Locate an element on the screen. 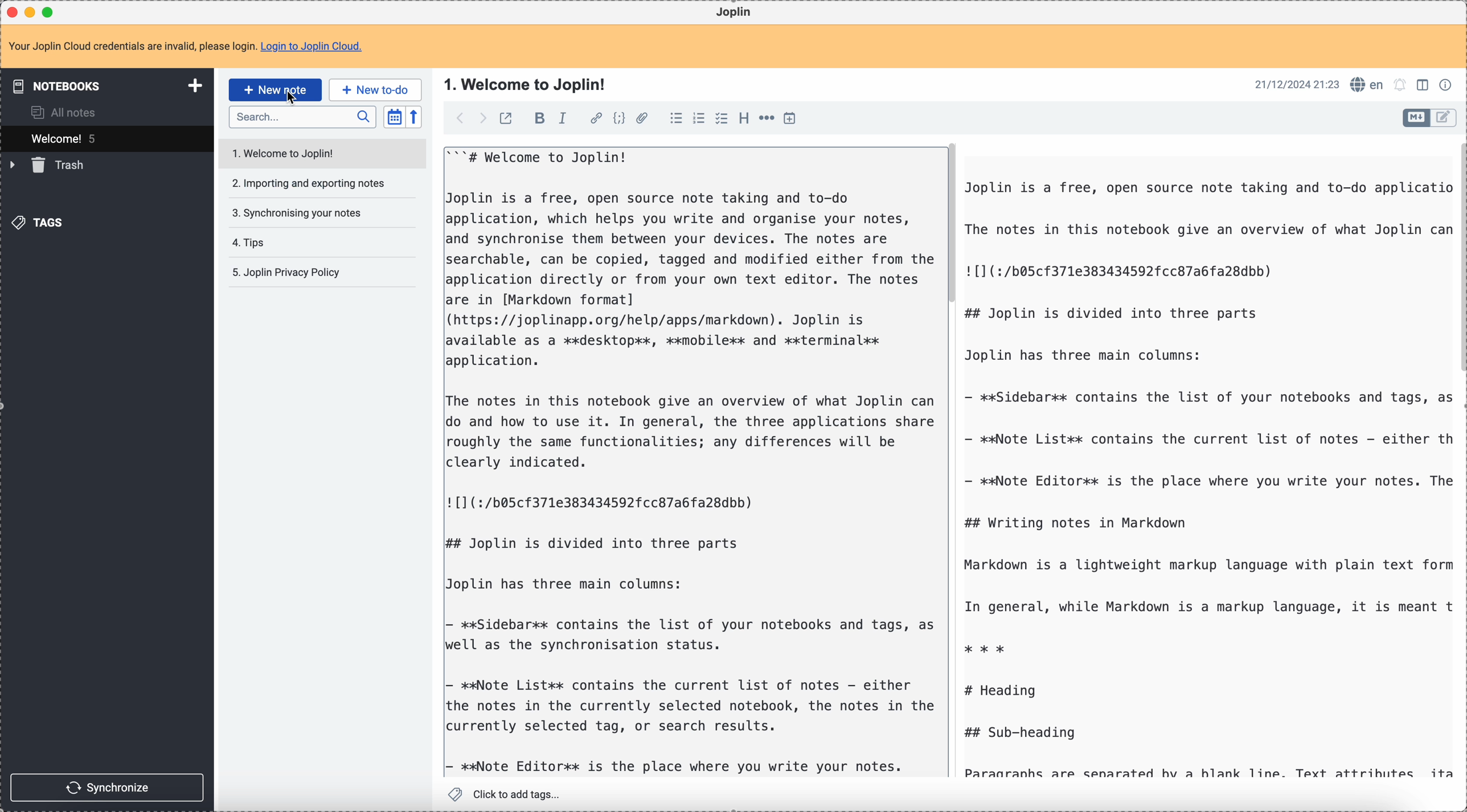 Image resolution: width=1467 pixels, height=812 pixels. bulleted list is located at coordinates (674, 118).